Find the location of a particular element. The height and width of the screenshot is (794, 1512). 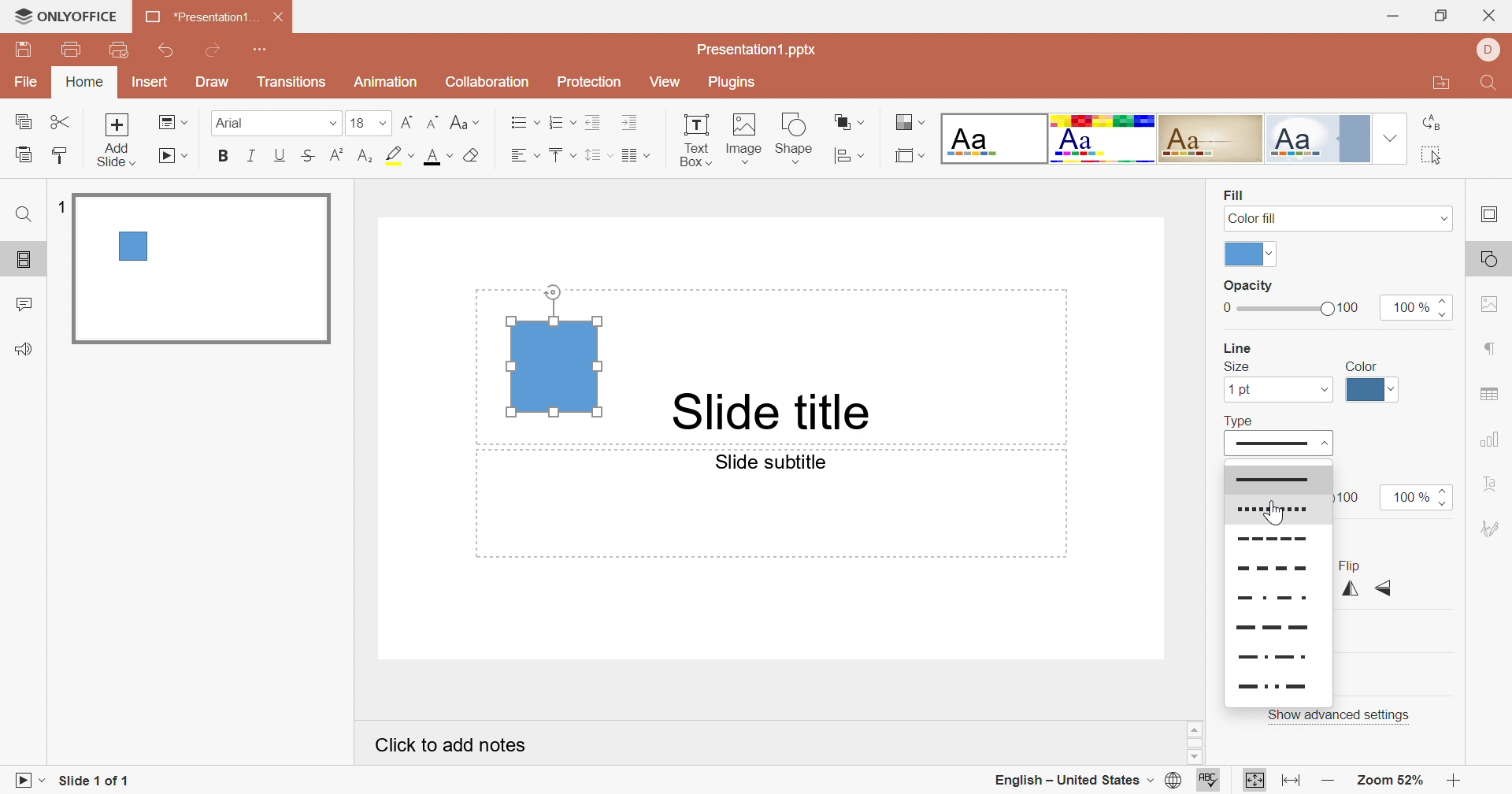

Slider is located at coordinates (1449, 306).